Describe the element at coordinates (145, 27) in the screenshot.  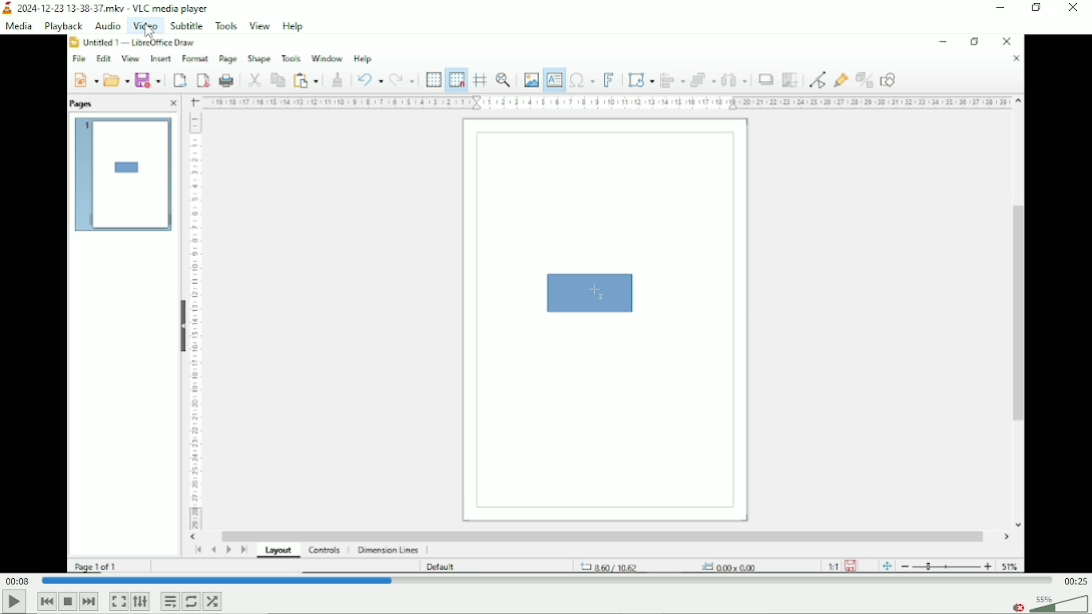
I see `Video` at that location.